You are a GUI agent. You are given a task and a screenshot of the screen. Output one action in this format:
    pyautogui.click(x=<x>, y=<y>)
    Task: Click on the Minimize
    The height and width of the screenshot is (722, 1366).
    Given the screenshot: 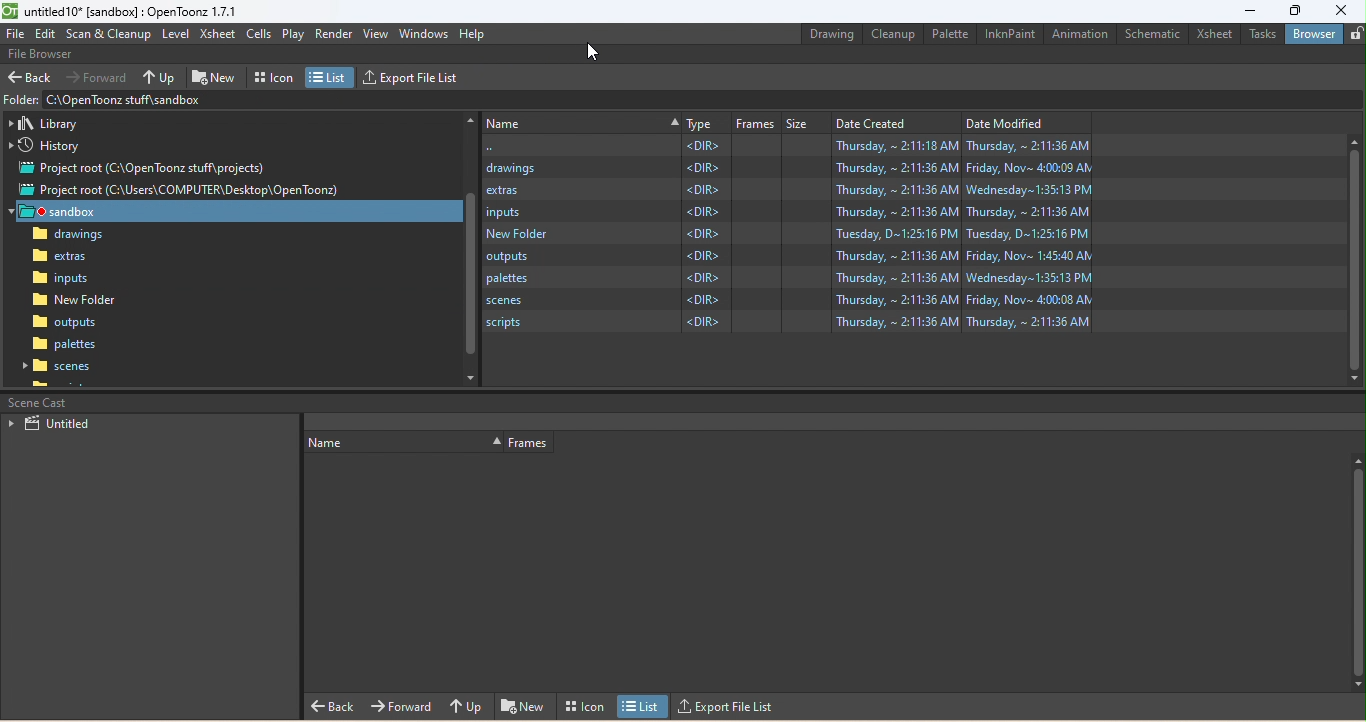 What is the action you would take?
    pyautogui.click(x=1245, y=10)
    